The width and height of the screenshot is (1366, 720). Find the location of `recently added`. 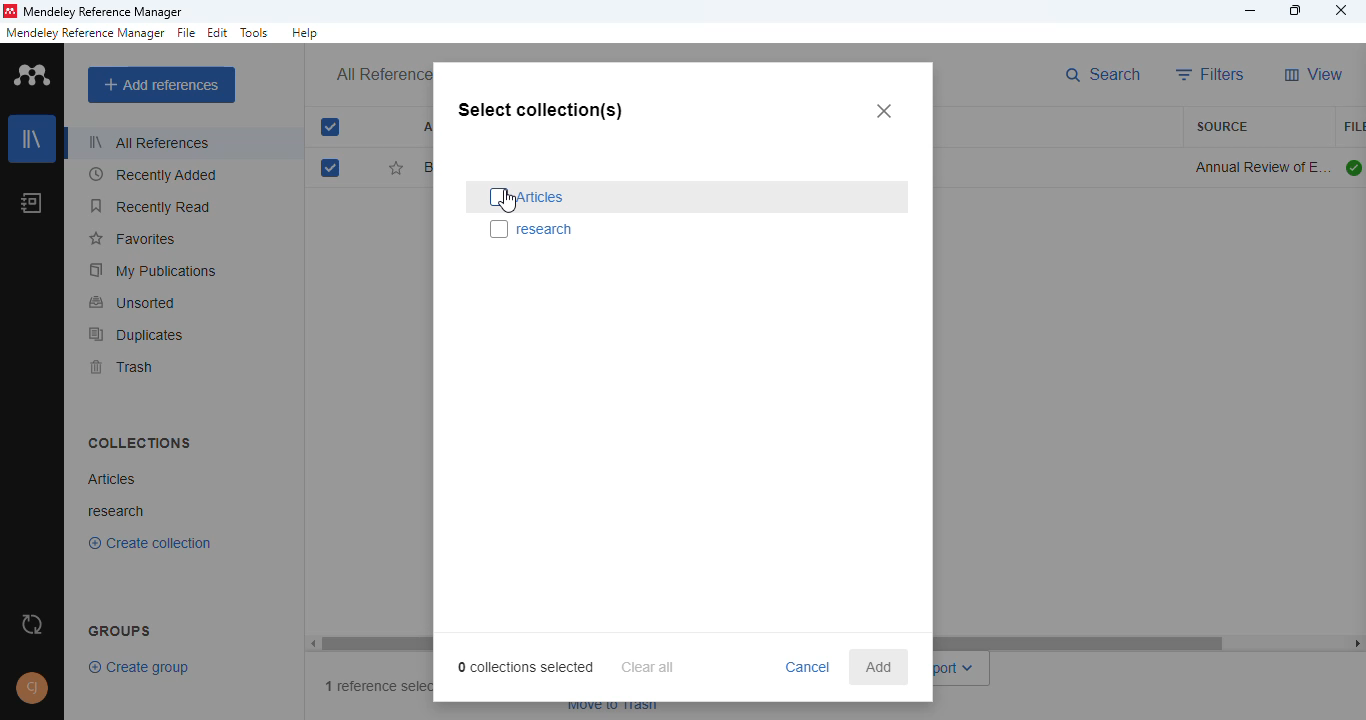

recently added is located at coordinates (153, 174).